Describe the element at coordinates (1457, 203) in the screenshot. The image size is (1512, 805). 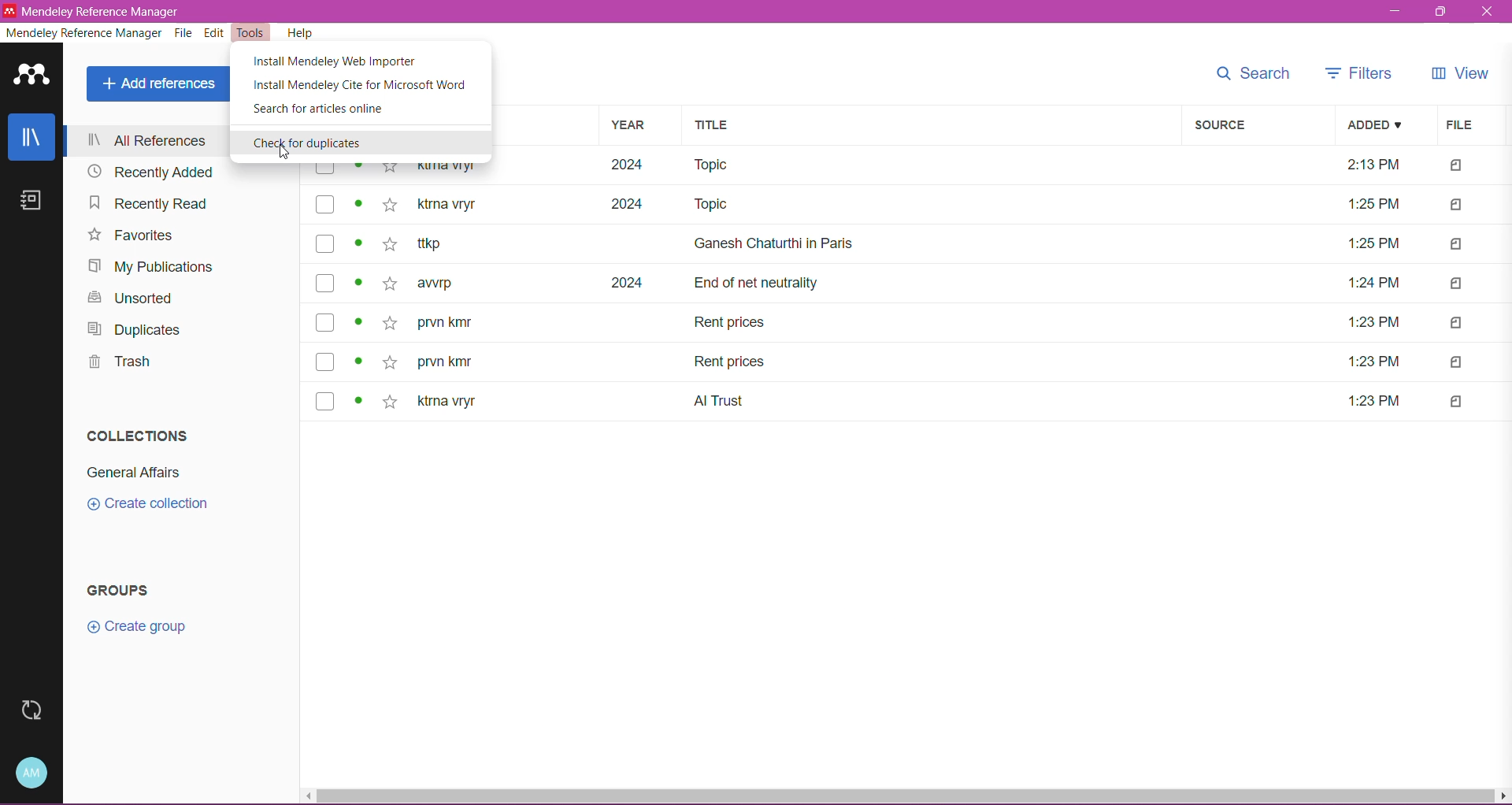
I see `file` at that location.